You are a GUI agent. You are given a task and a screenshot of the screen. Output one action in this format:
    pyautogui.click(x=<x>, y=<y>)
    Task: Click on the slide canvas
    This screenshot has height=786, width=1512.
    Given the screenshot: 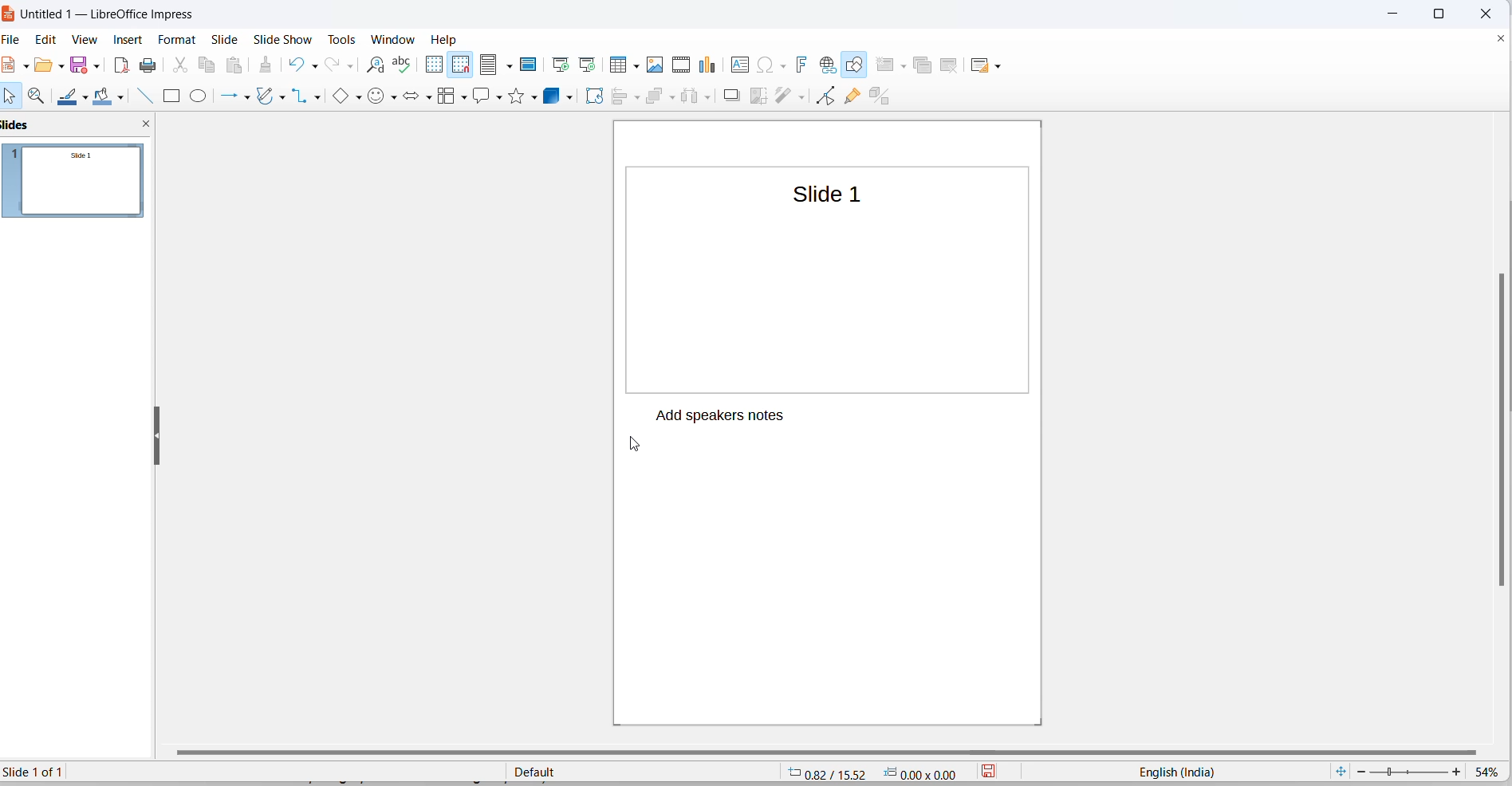 What is the action you would take?
    pyautogui.click(x=830, y=299)
    